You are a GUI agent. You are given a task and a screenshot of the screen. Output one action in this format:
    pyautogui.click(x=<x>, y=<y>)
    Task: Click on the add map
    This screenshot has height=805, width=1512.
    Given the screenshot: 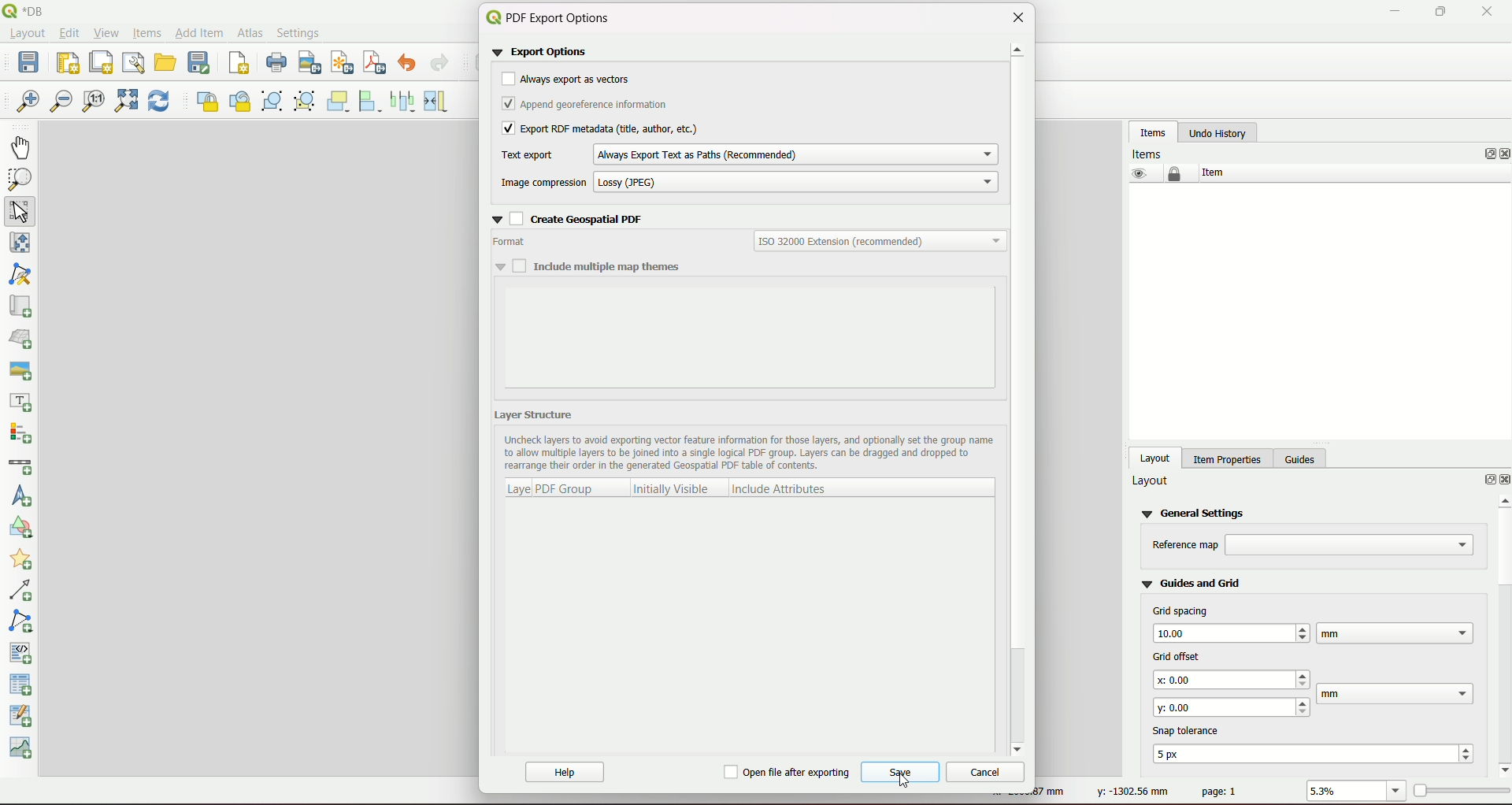 What is the action you would take?
    pyautogui.click(x=20, y=306)
    